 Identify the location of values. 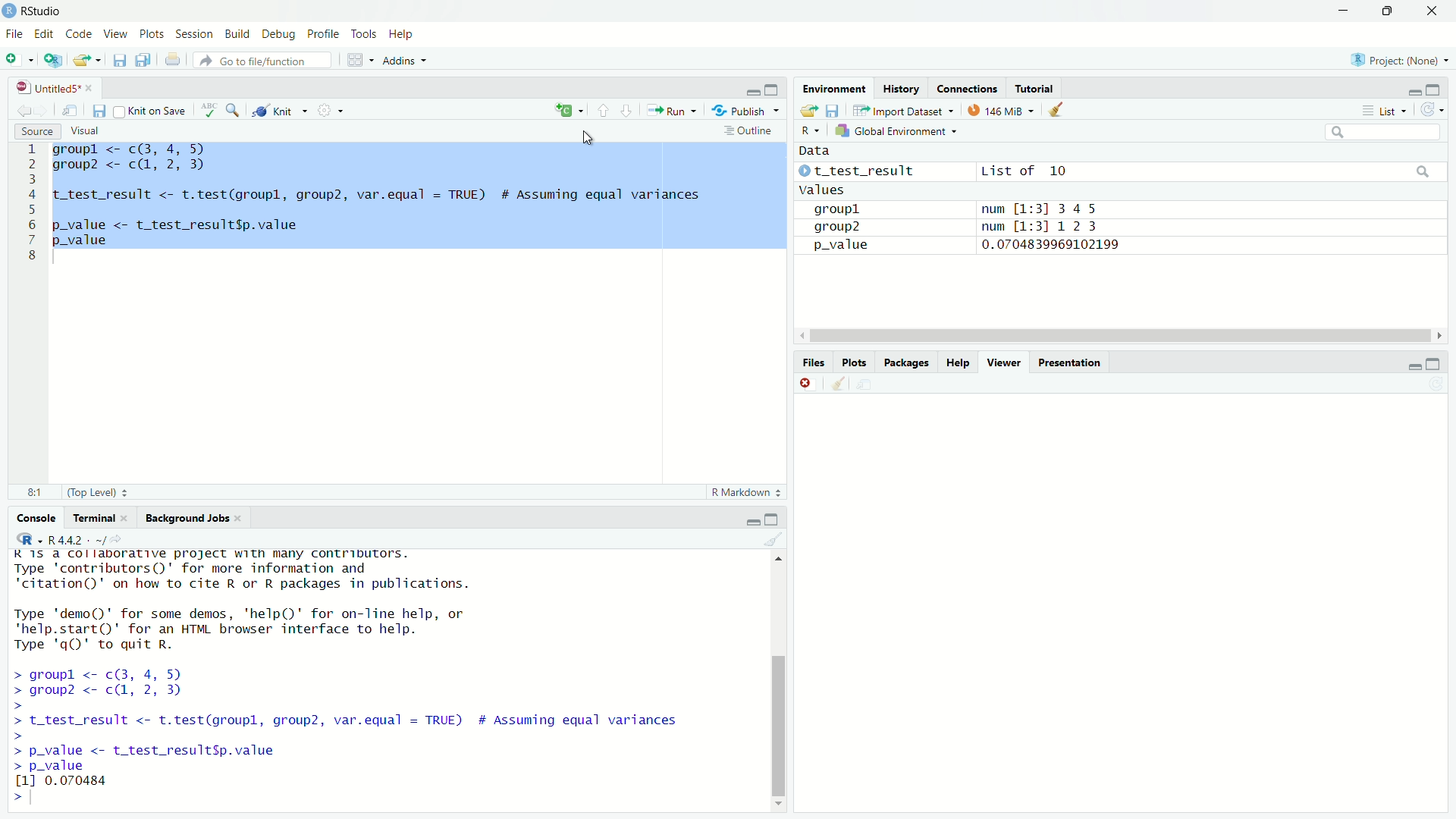
(829, 190).